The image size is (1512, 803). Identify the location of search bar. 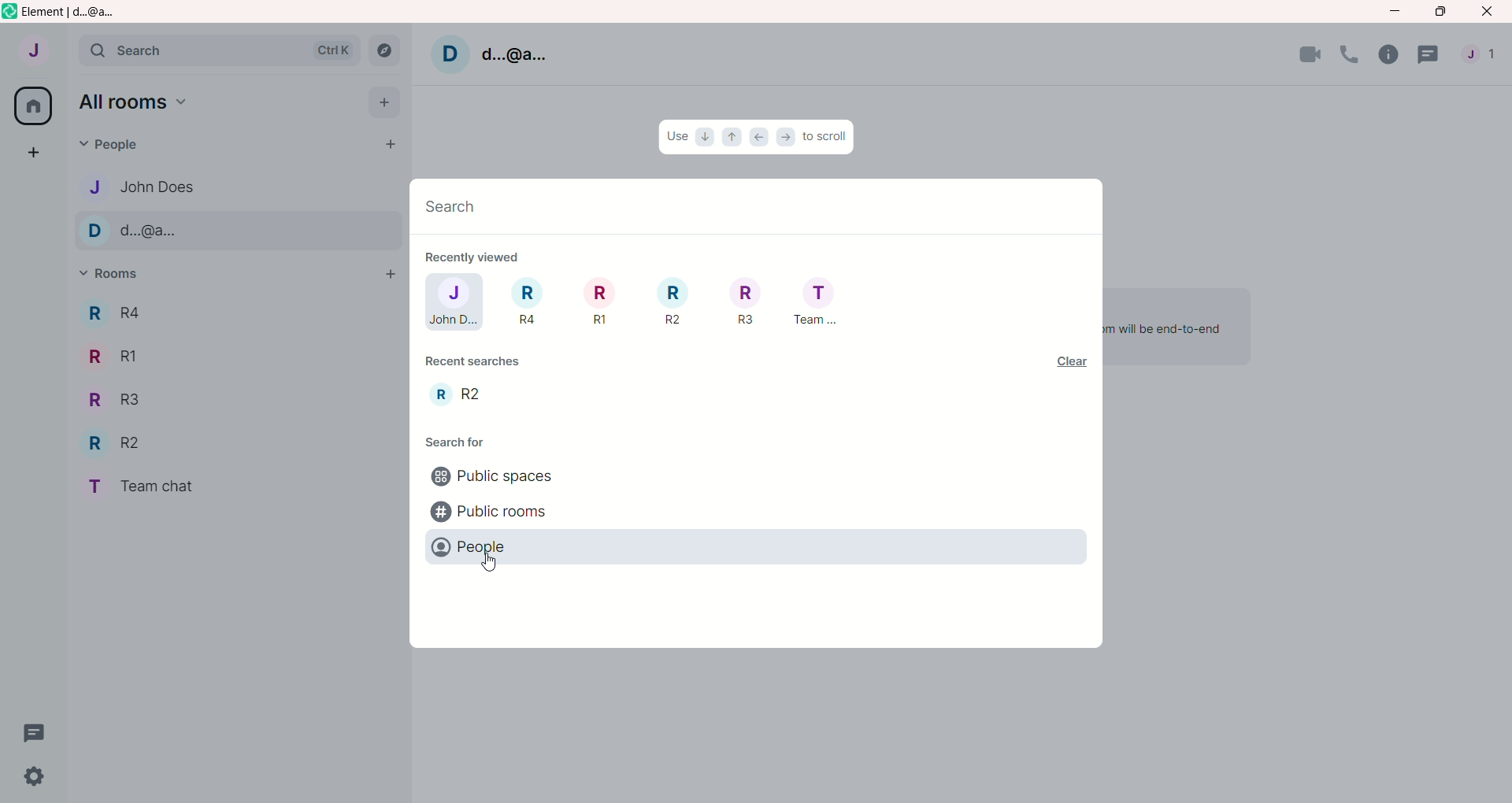
(750, 208).